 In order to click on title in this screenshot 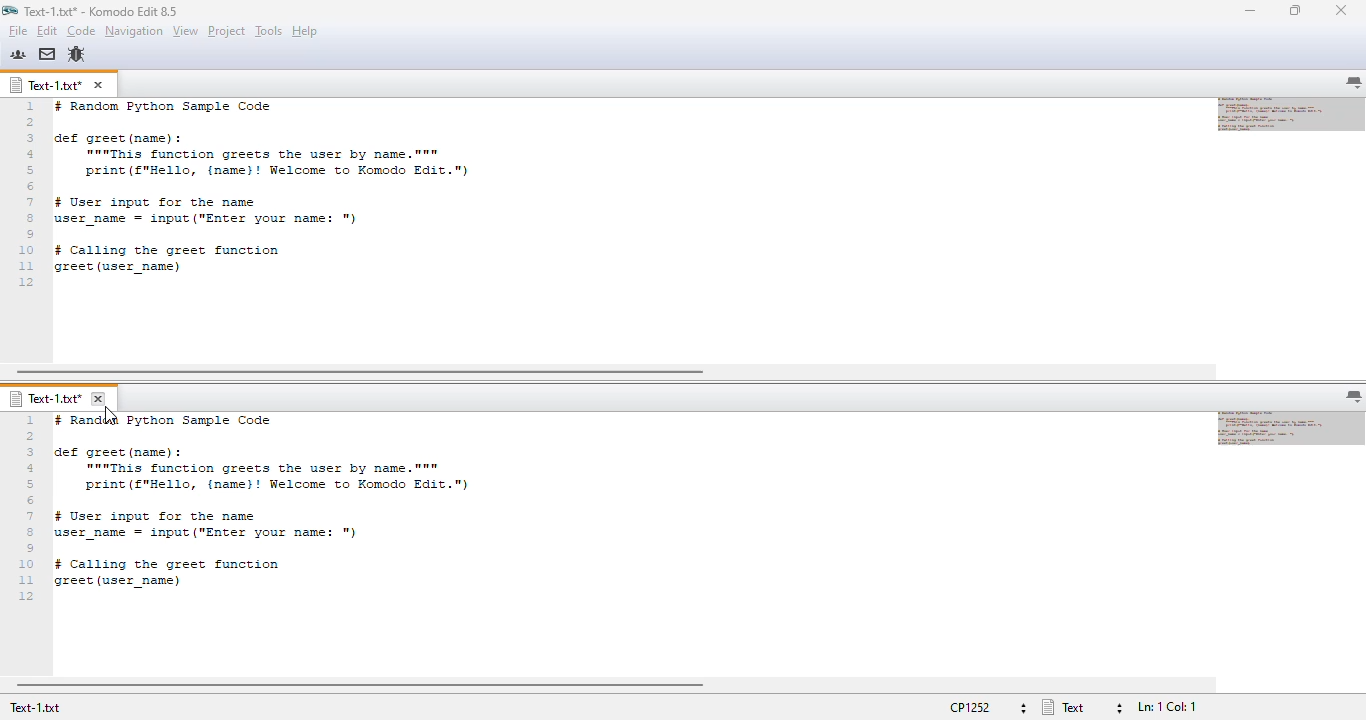, I will do `click(102, 11)`.